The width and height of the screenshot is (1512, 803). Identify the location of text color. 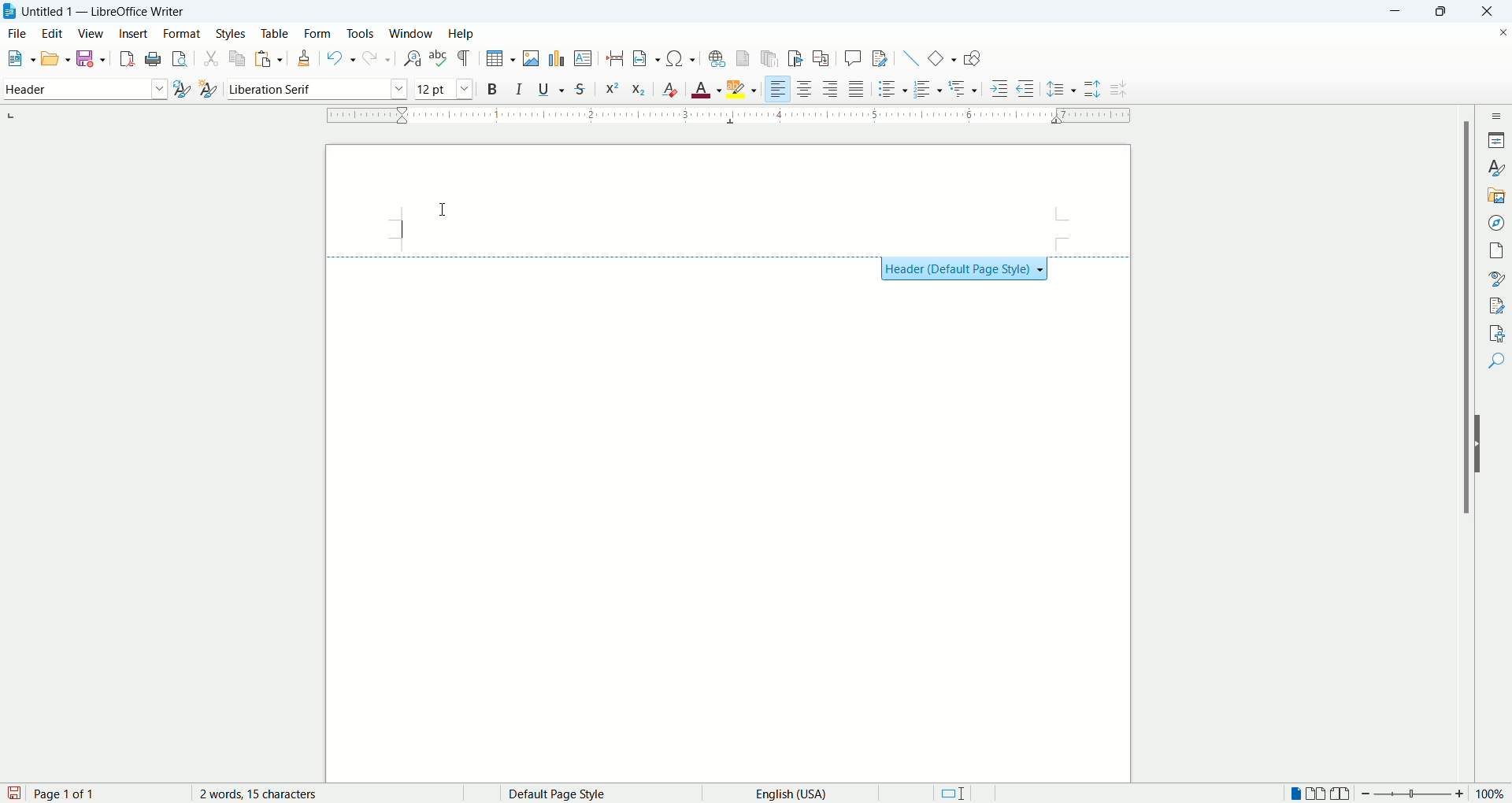
(706, 87).